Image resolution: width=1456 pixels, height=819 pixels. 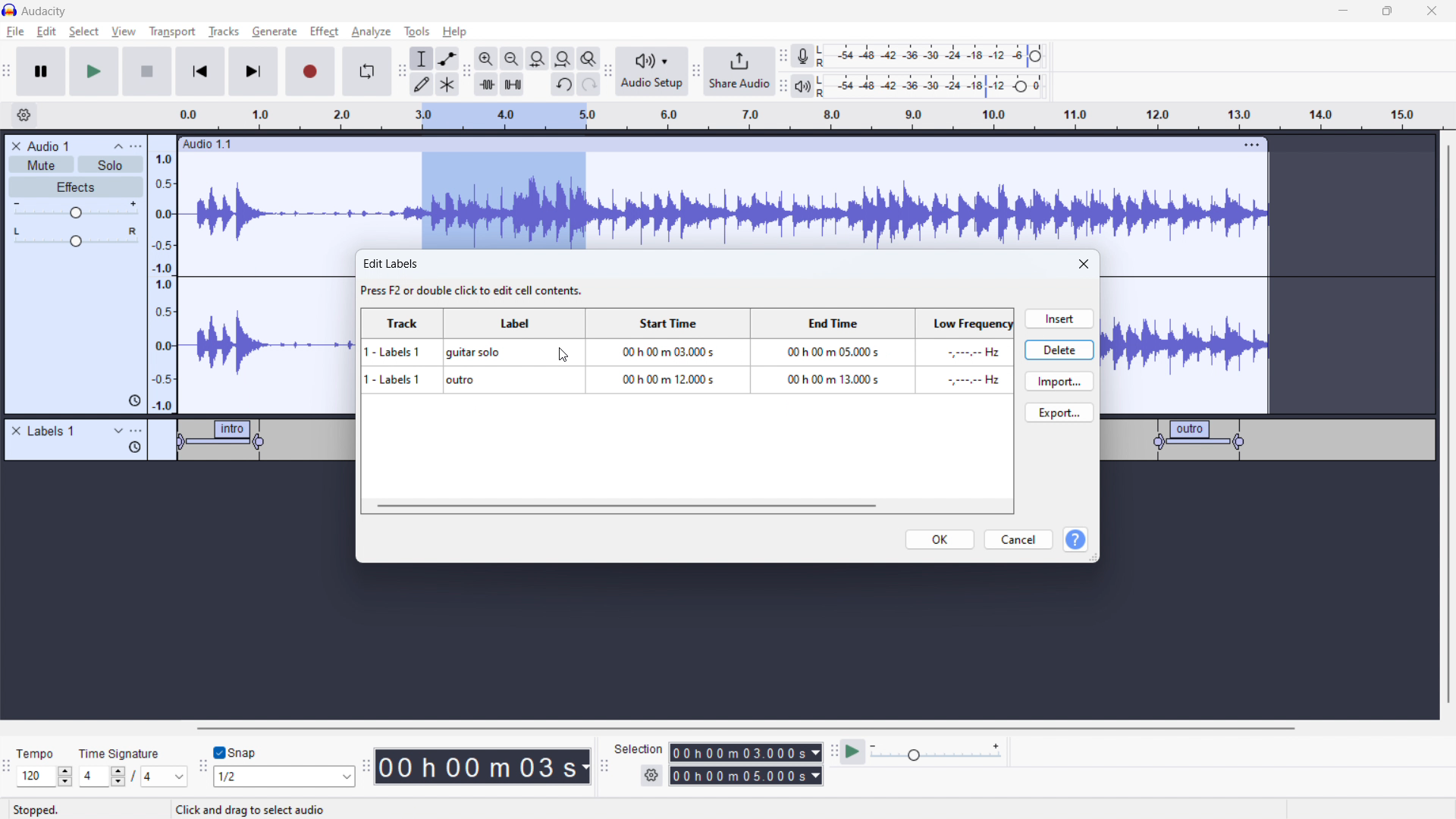 What do you see at coordinates (50, 146) in the screenshot?
I see `track title` at bounding box center [50, 146].